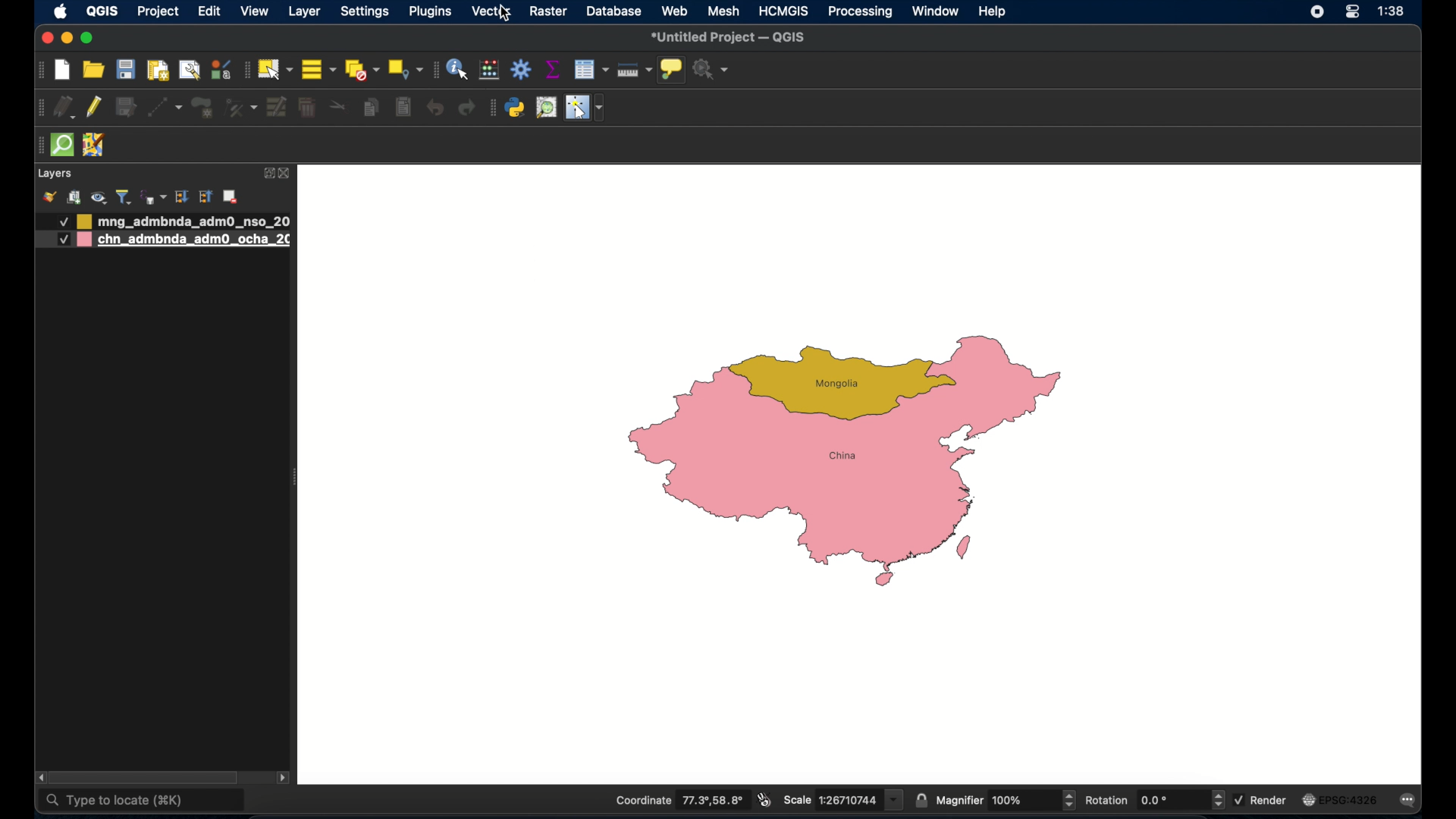  What do you see at coordinates (92, 70) in the screenshot?
I see `open project` at bounding box center [92, 70].